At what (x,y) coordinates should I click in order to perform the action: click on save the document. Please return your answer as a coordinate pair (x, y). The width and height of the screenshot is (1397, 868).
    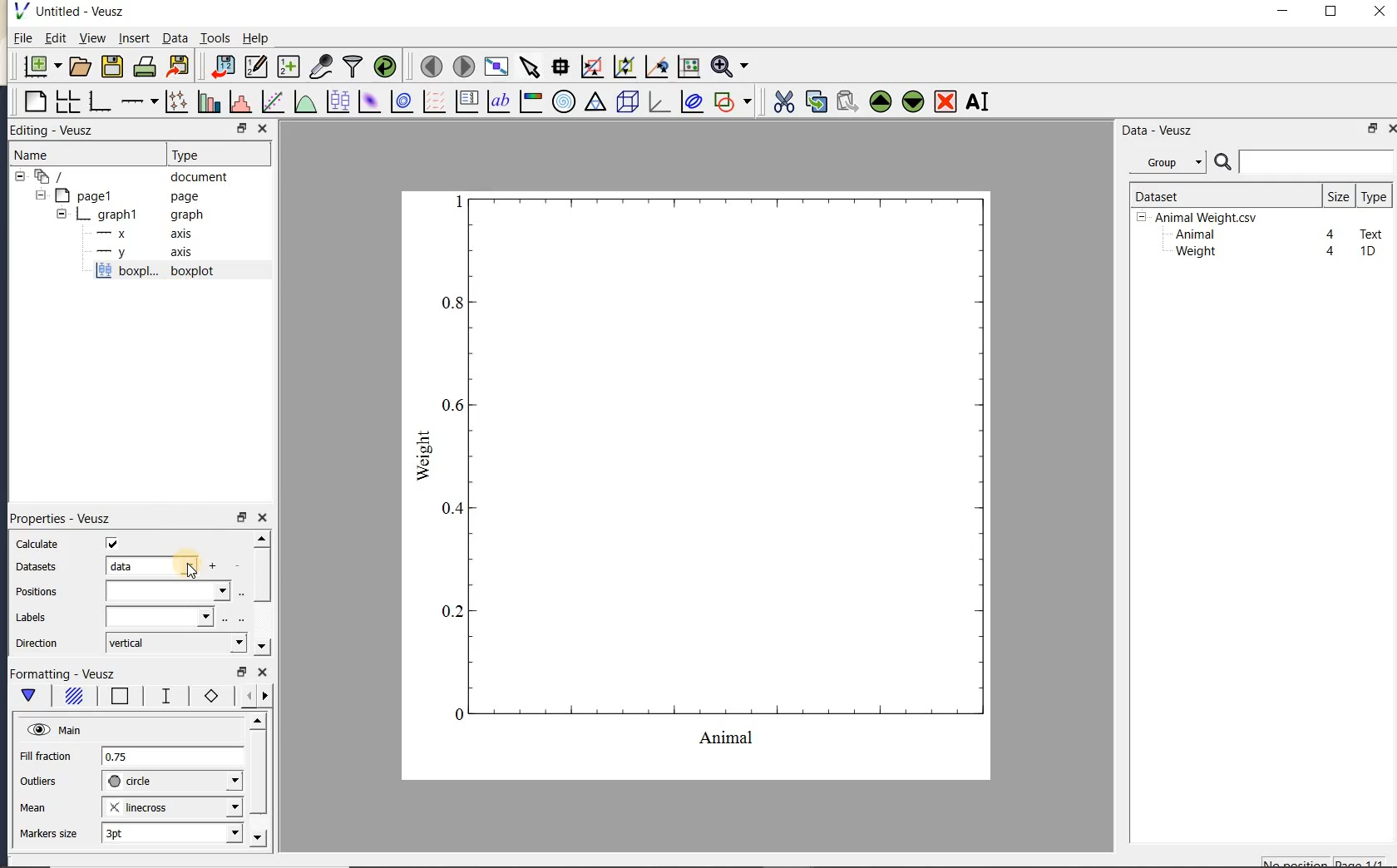
    Looking at the image, I should click on (111, 67).